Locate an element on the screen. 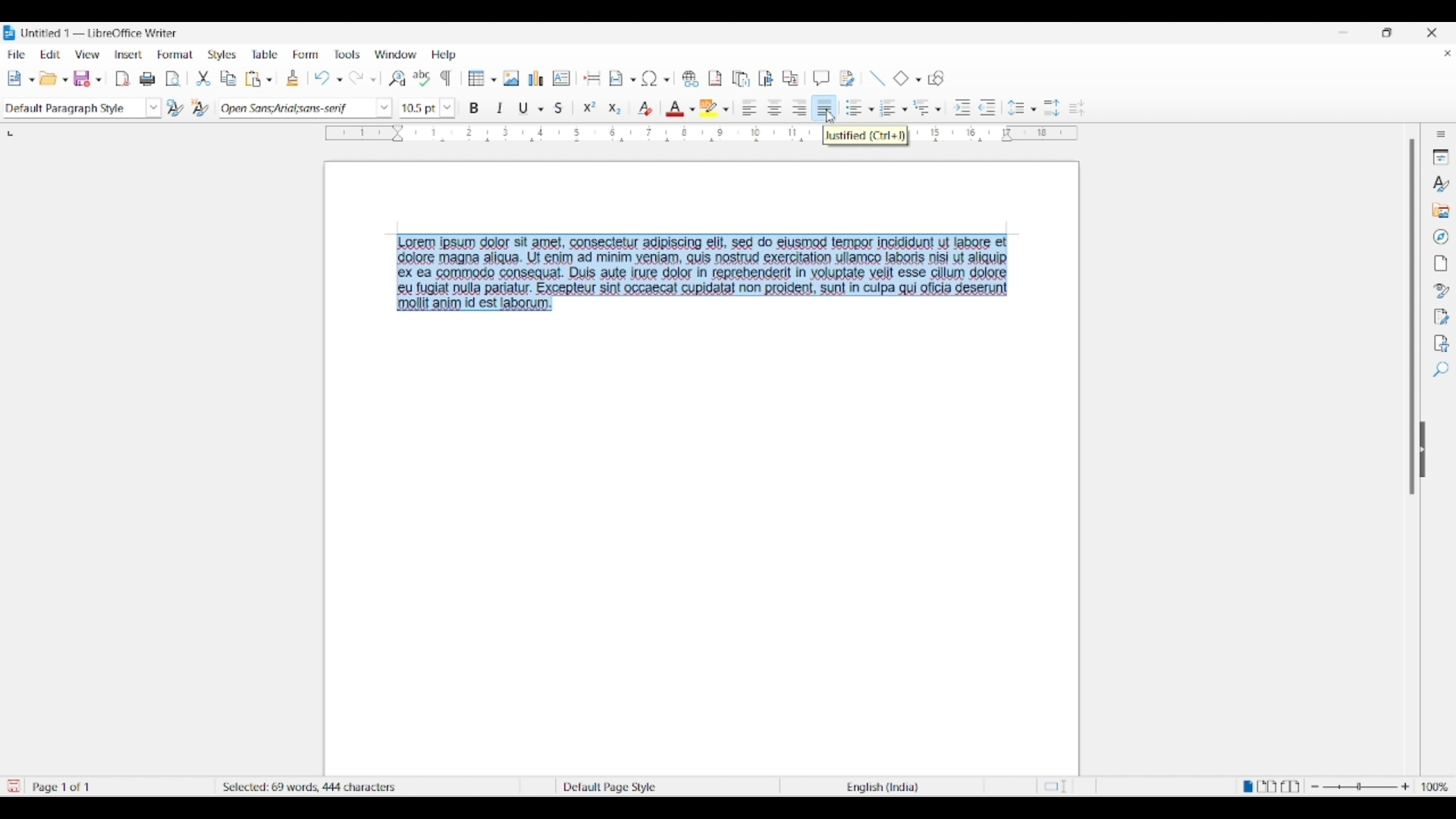 The width and height of the screenshot is (1456, 819). Help is located at coordinates (444, 55).